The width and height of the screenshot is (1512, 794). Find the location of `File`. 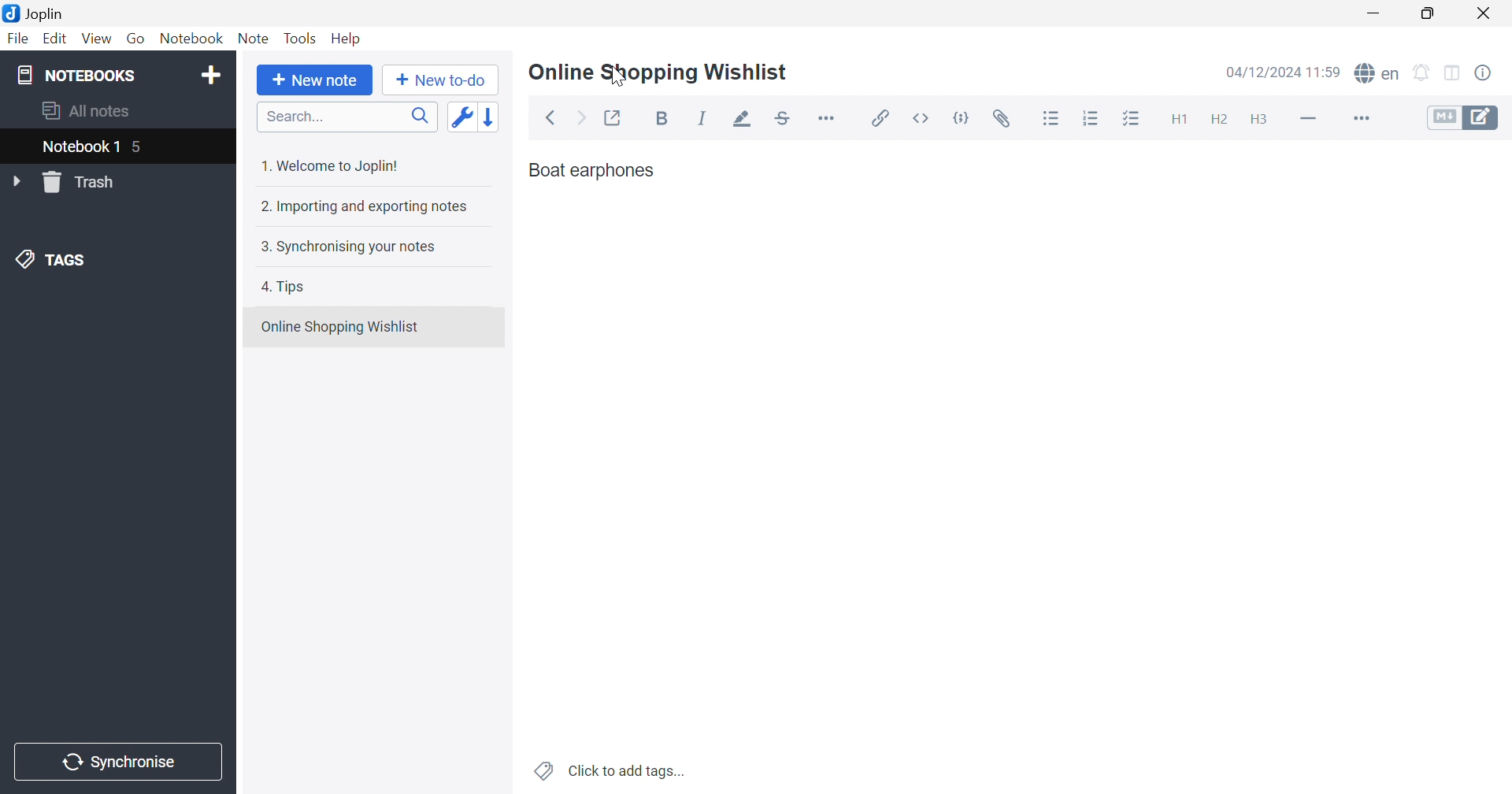

File is located at coordinates (20, 39).